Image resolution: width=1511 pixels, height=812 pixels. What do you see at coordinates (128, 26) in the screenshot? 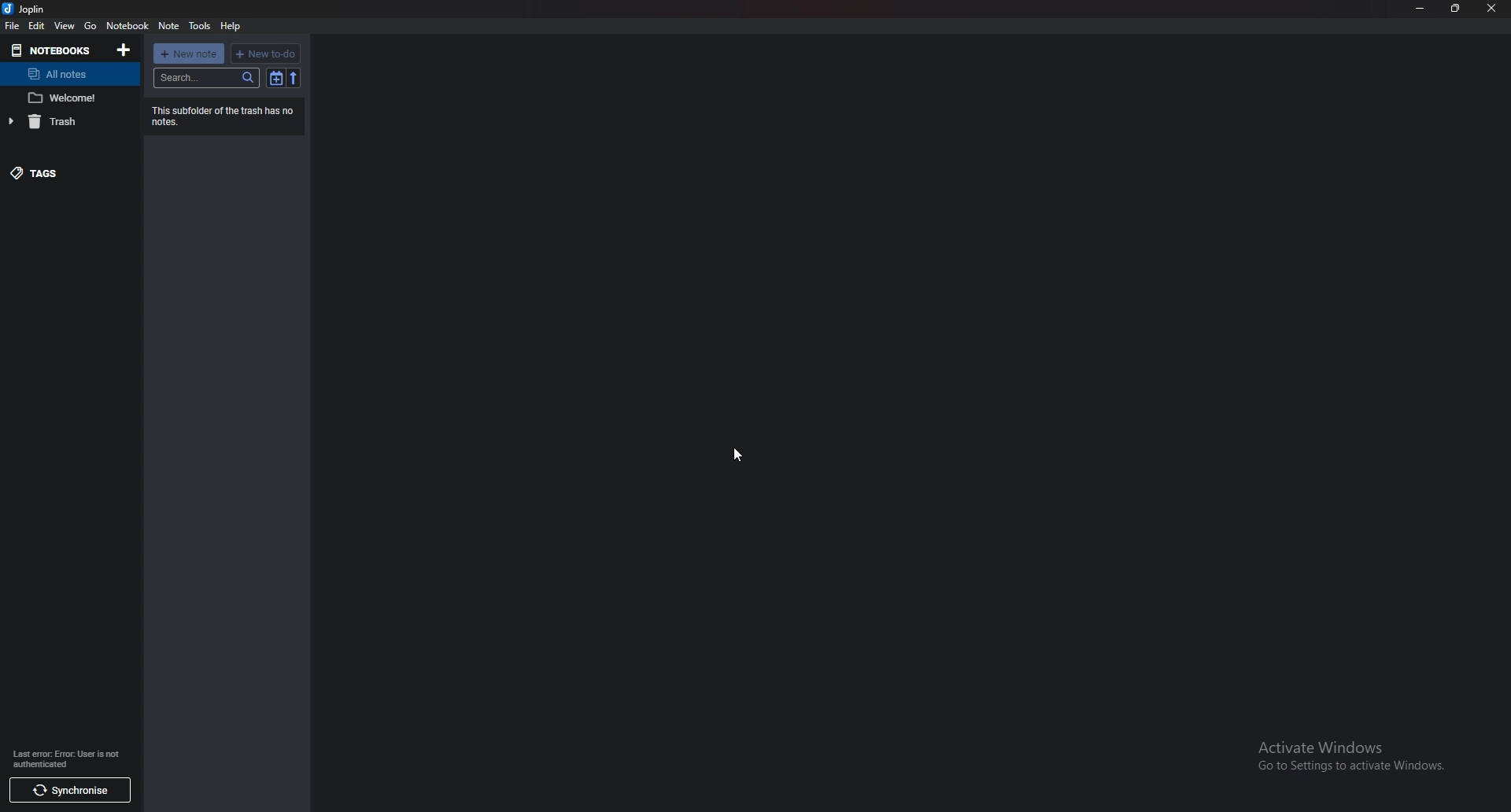
I see `notebook` at bounding box center [128, 26].